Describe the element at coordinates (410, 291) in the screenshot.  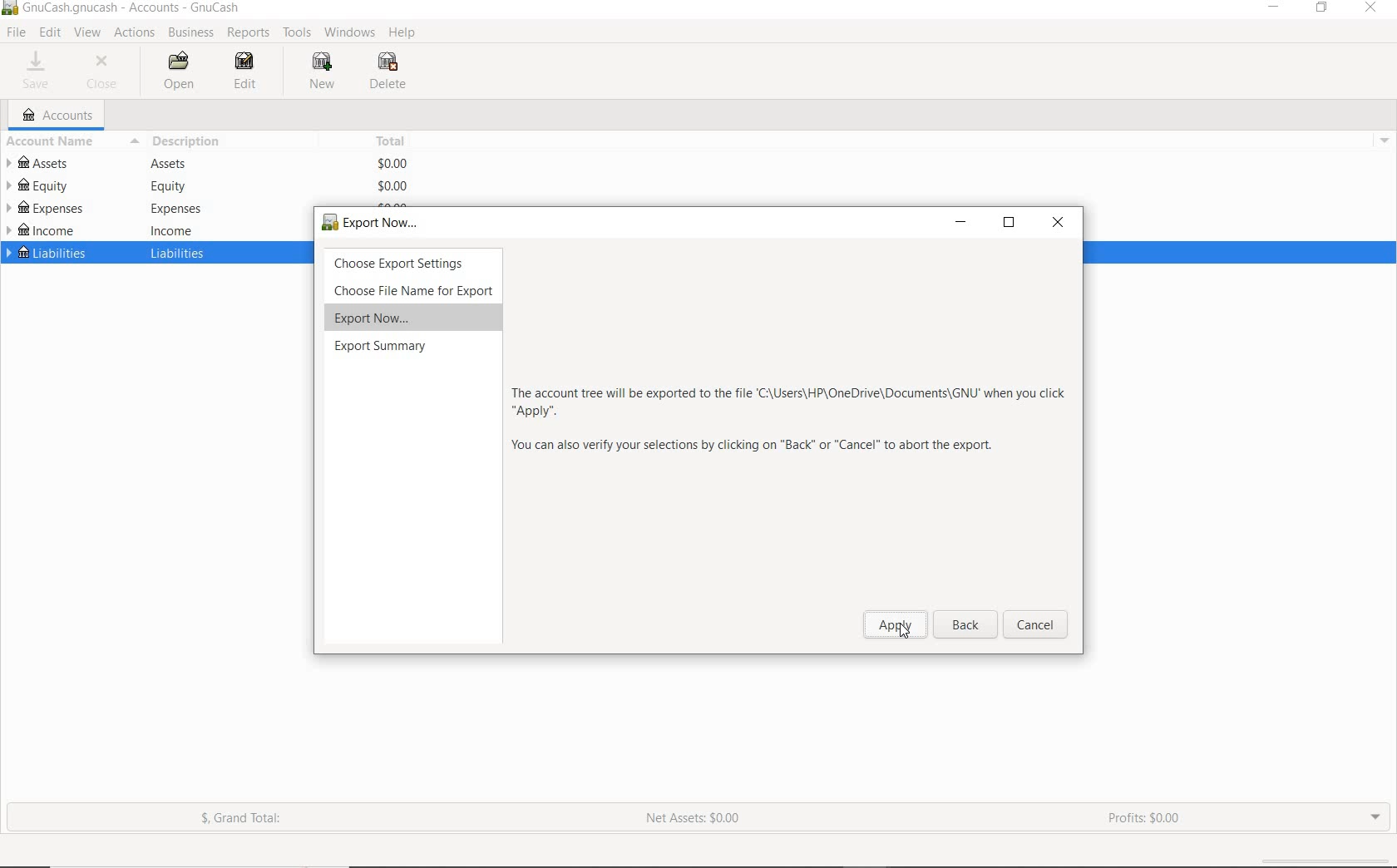
I see `choose File Name for Export` at that location.